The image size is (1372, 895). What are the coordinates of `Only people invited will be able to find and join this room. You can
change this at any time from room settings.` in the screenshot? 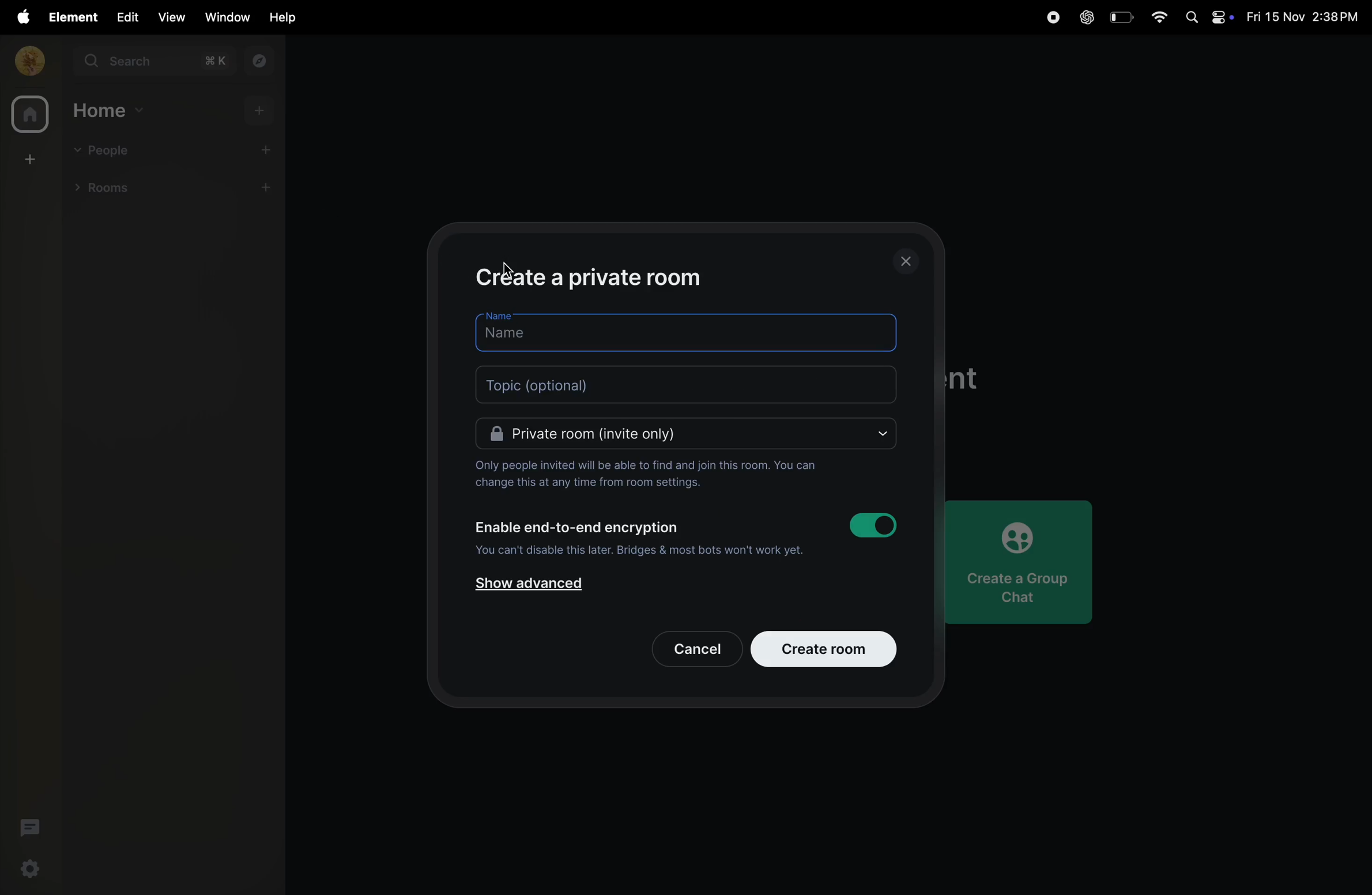 It's located at (655, 476).